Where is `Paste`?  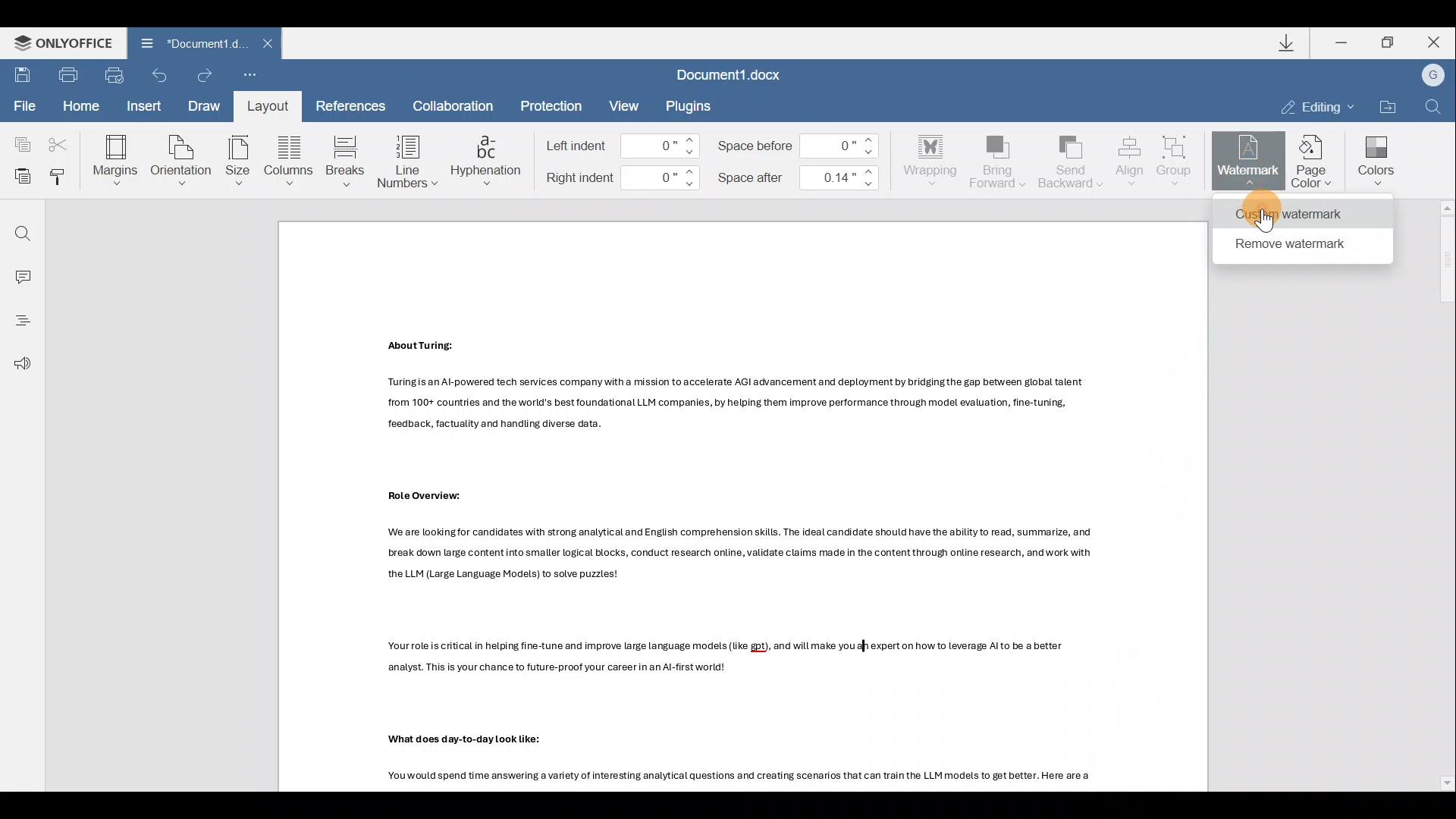
Paste is located at coordinates (20, 177).